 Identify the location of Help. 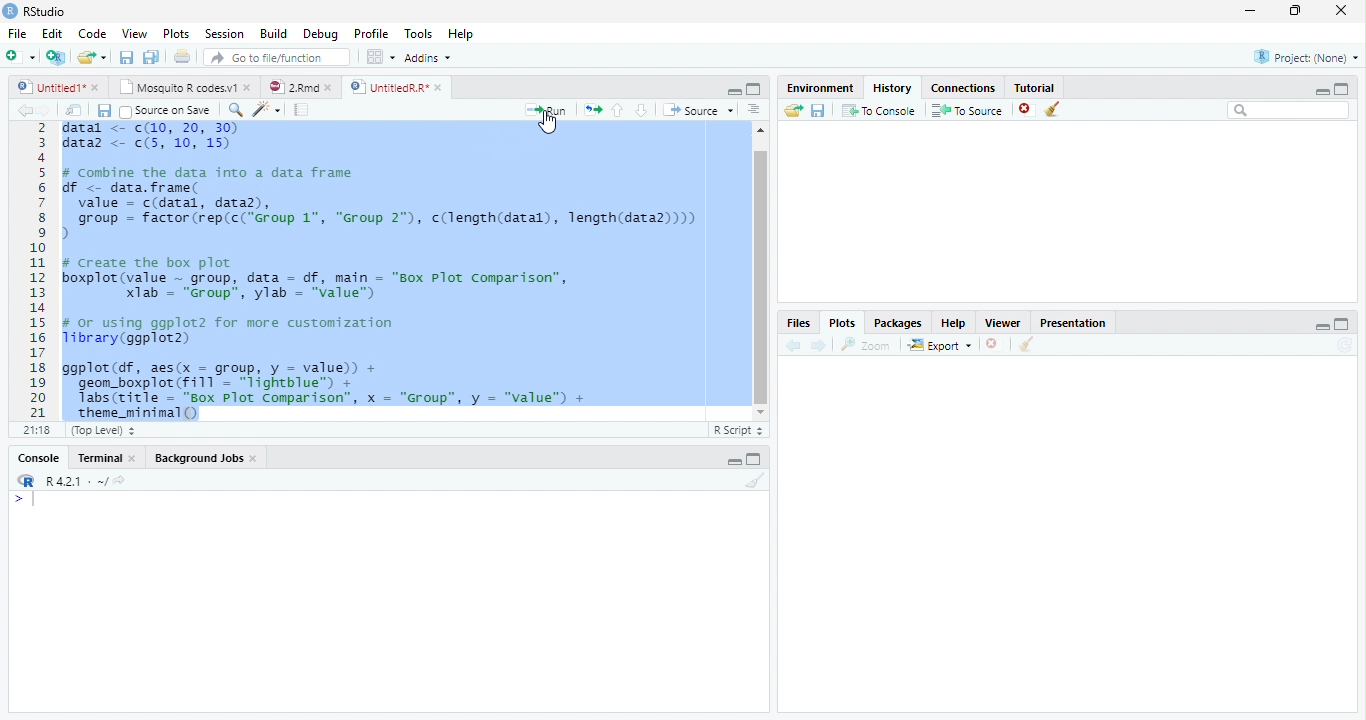
(954, 322).